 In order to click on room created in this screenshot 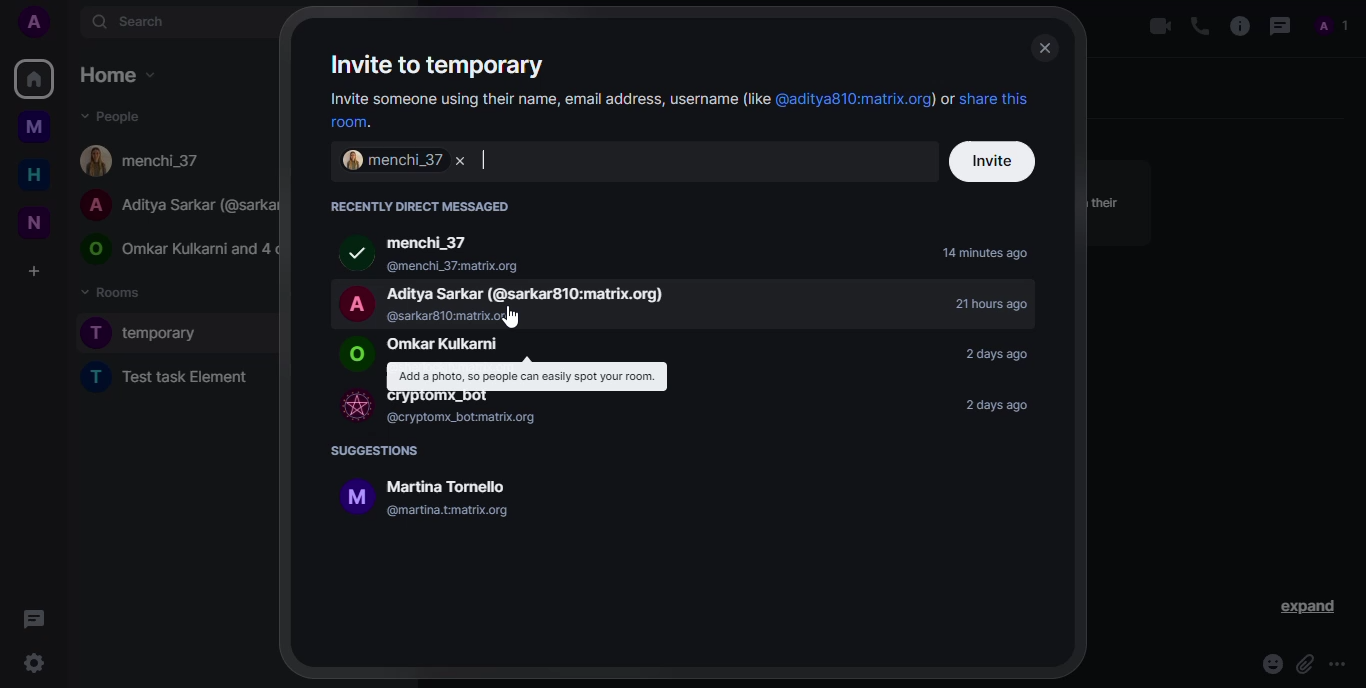, I will do `click(151, 333)`.